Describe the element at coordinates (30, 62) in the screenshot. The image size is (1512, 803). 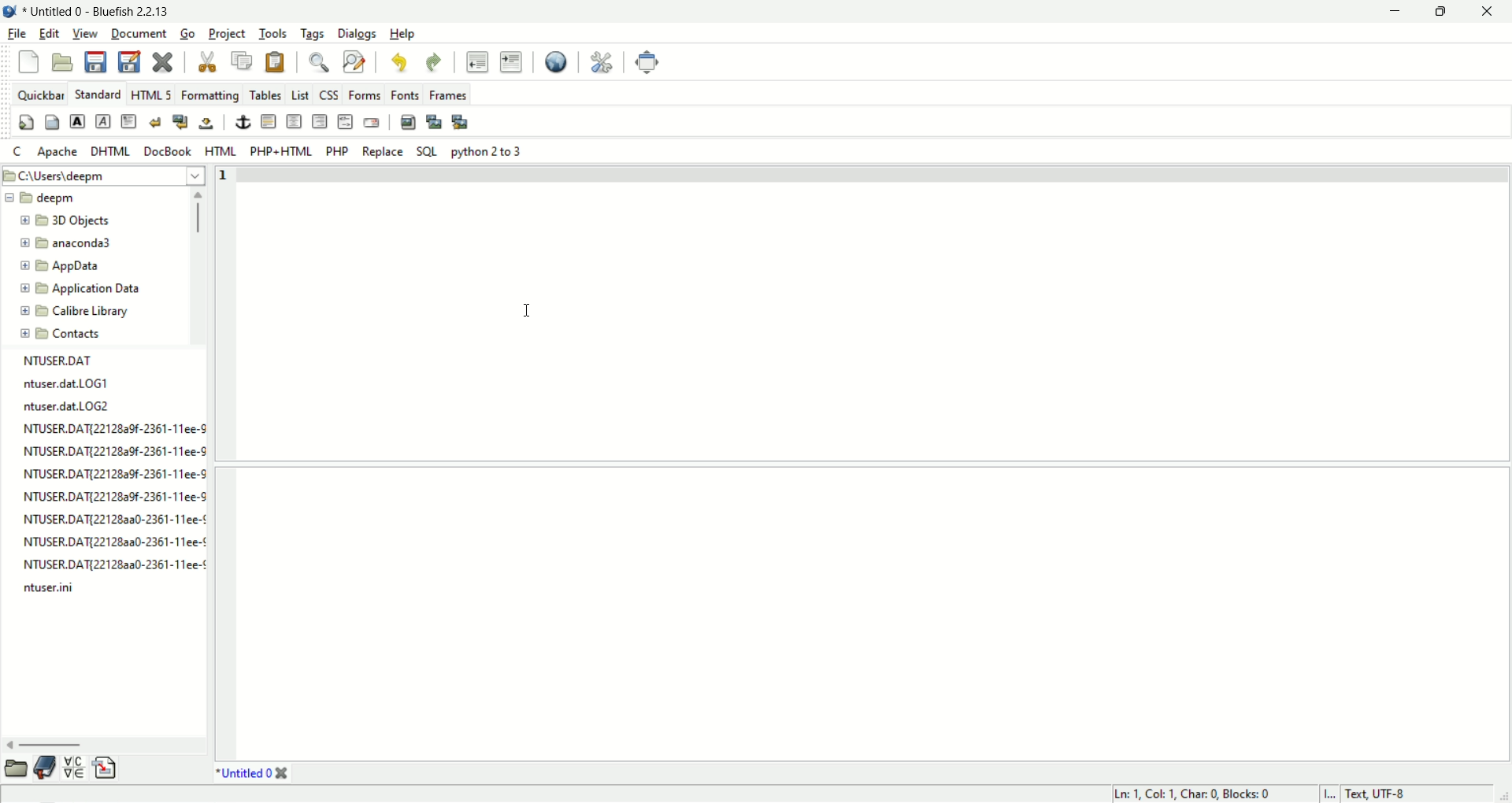
I see `new file` at that location.